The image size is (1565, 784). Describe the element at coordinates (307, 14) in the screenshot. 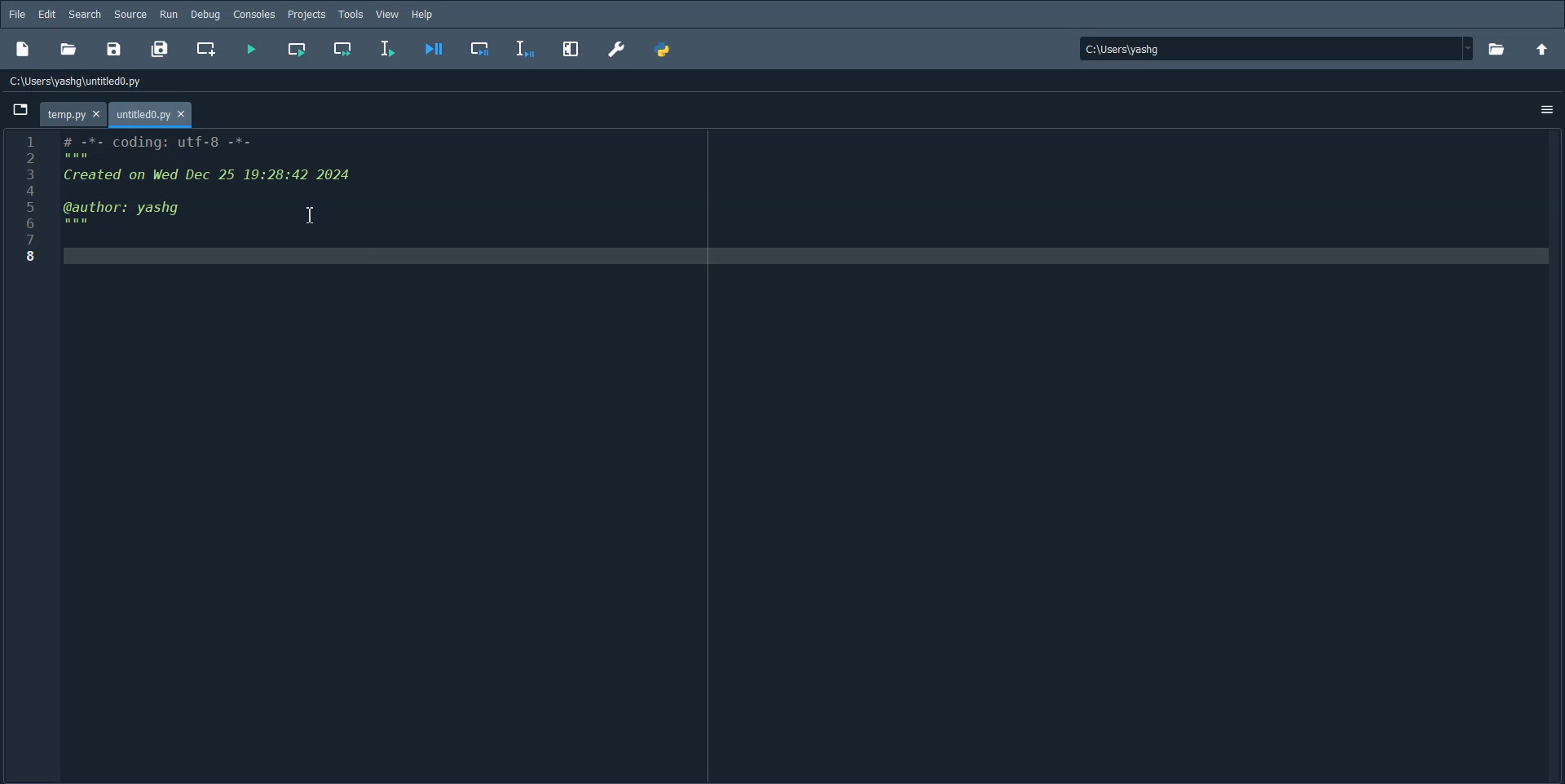

I see `Projects` at that location.